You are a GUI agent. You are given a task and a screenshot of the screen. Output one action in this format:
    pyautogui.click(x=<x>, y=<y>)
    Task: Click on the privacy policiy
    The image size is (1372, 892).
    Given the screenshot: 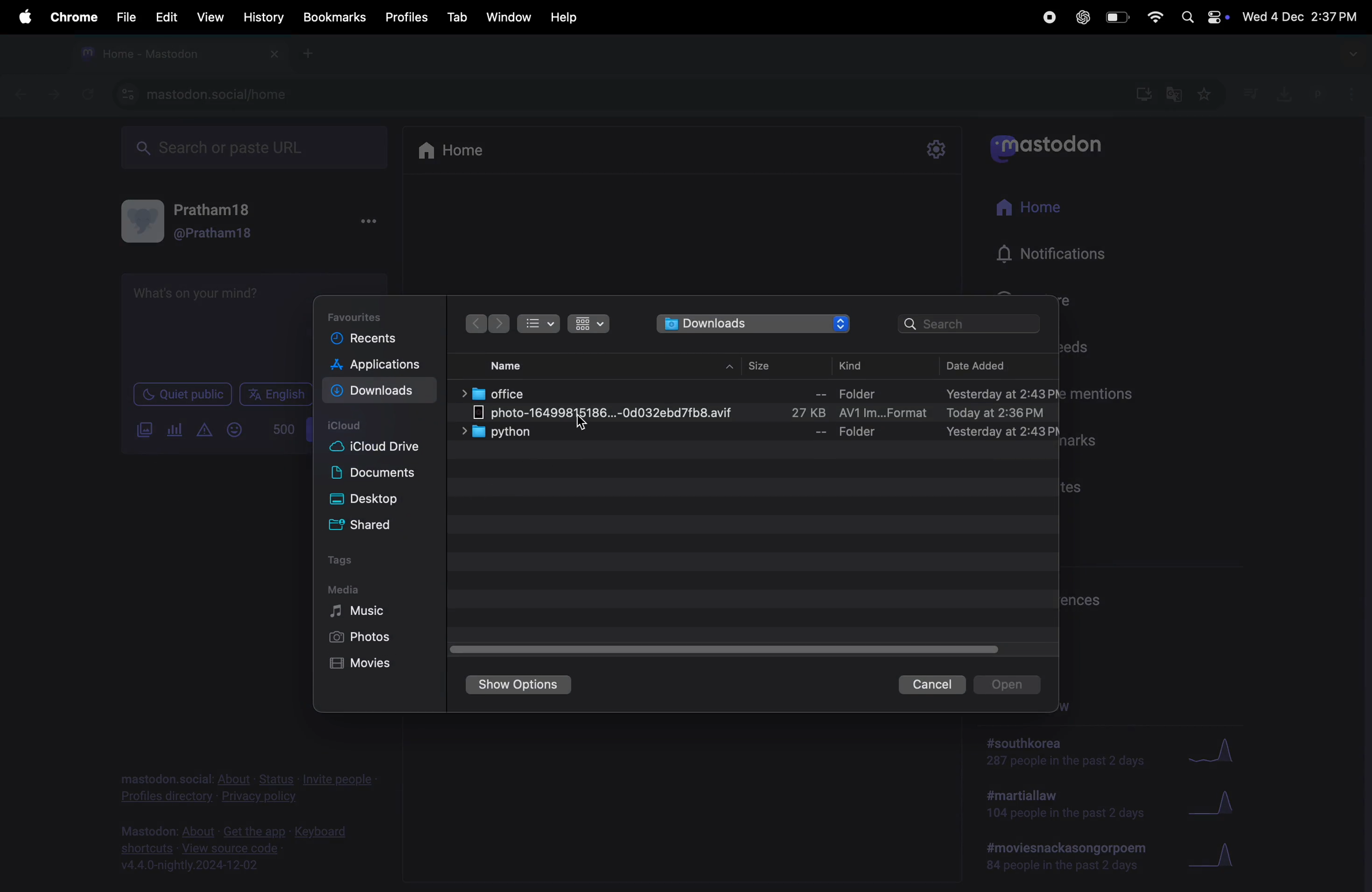 What is the action you would take?
    pyautogui.click(x=250, y=785)
    